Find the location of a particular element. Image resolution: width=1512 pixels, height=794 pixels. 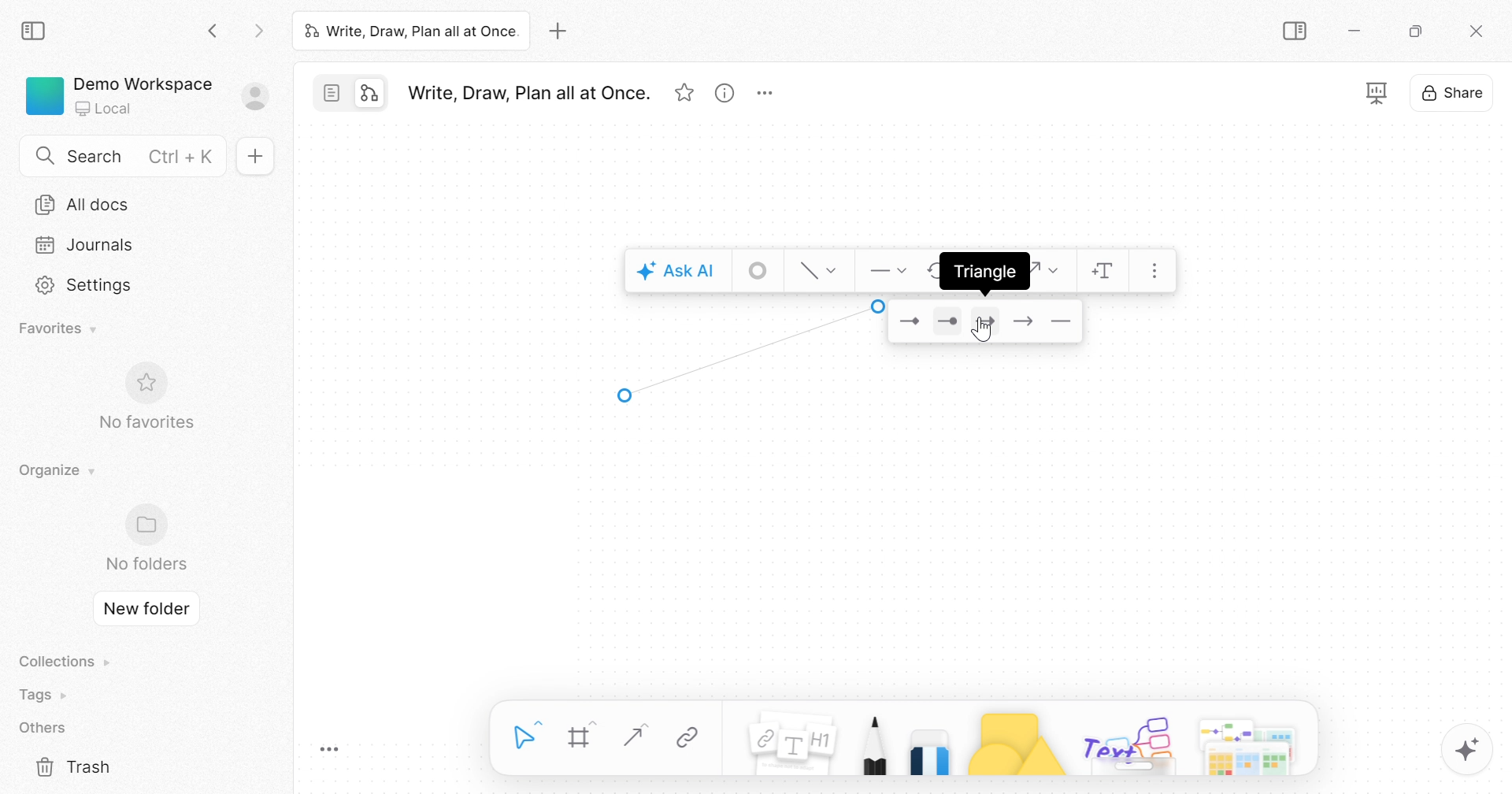

Start point style is located at coordinates (886, 269).